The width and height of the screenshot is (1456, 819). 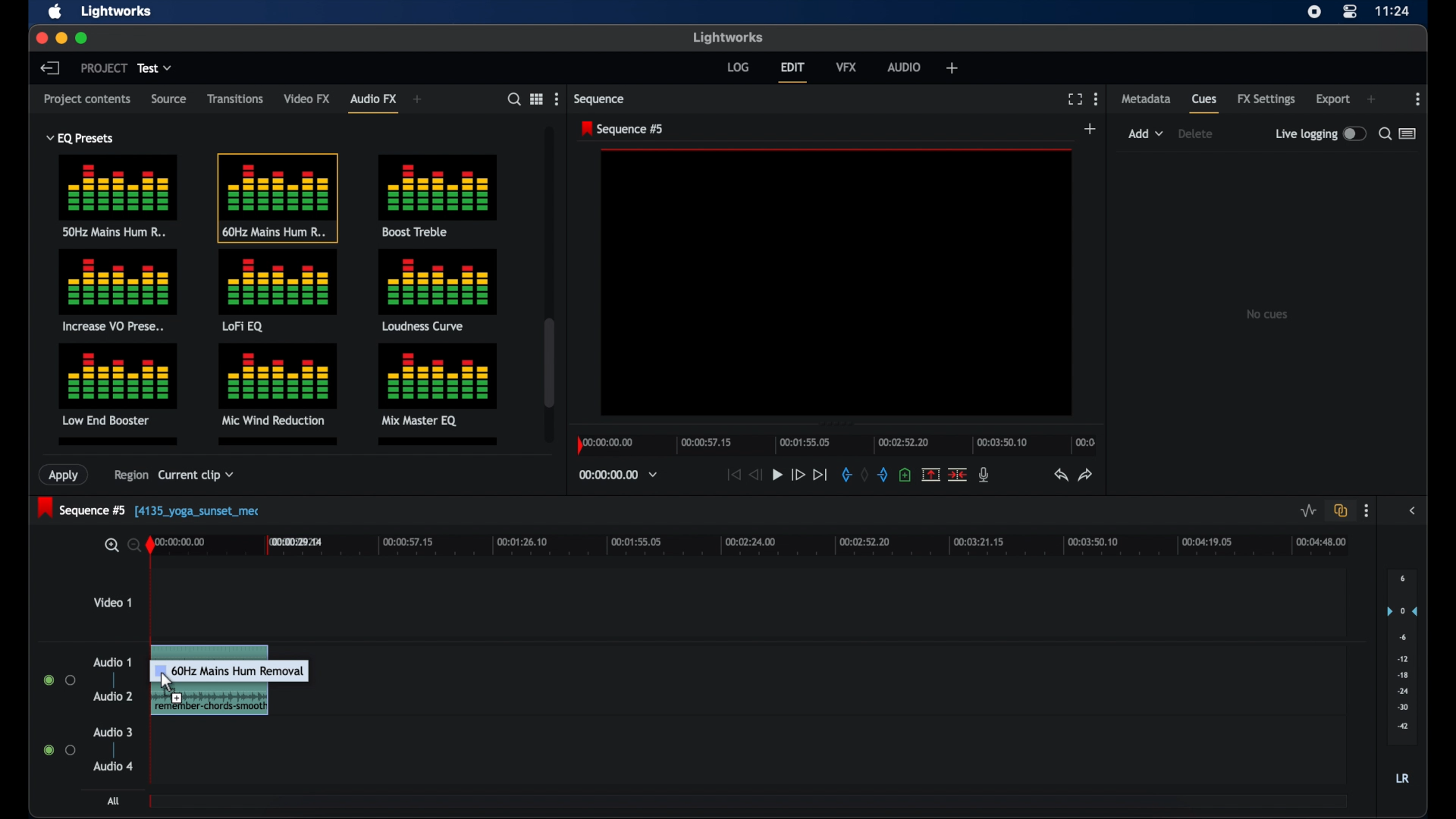 What do you see at coordinates (131, 544) in the screenshot?
I see `zoom out` at bounding box center [131, 544].